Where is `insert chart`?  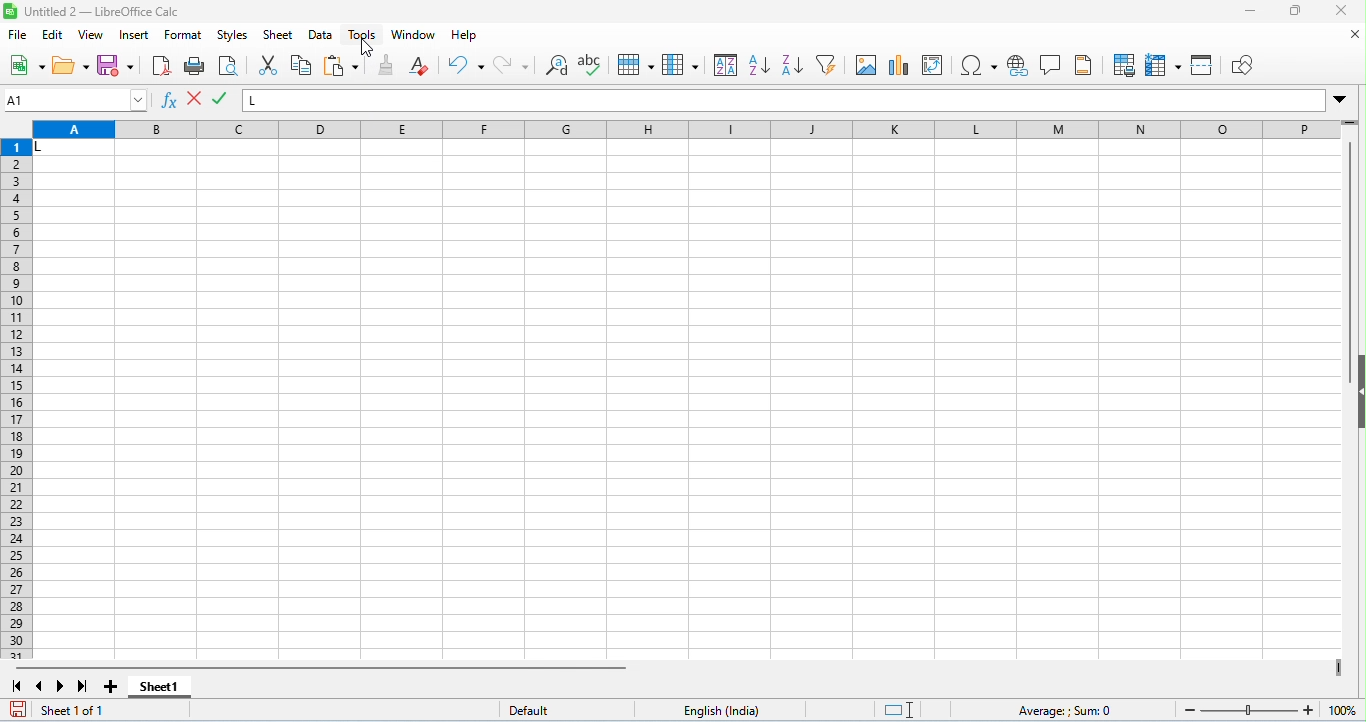 insert chart is located at coordinates (900, 67).